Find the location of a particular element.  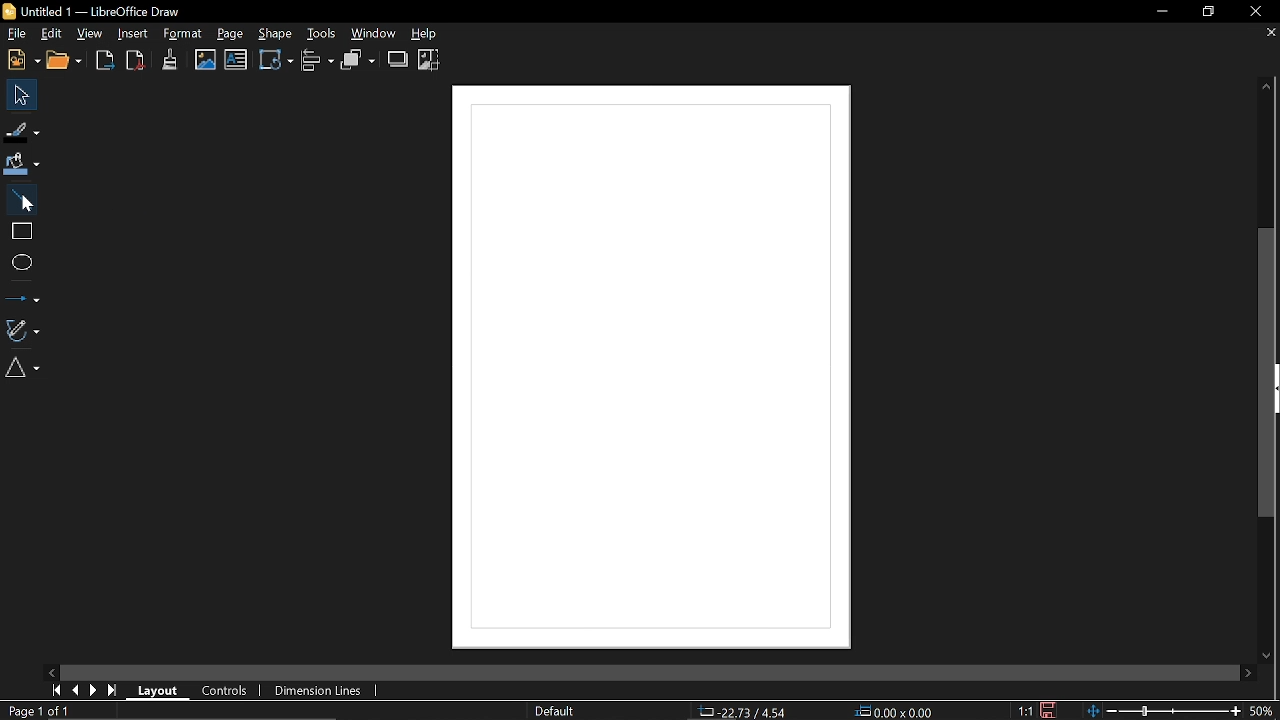

Fill color is located at coordinates (22, 163).